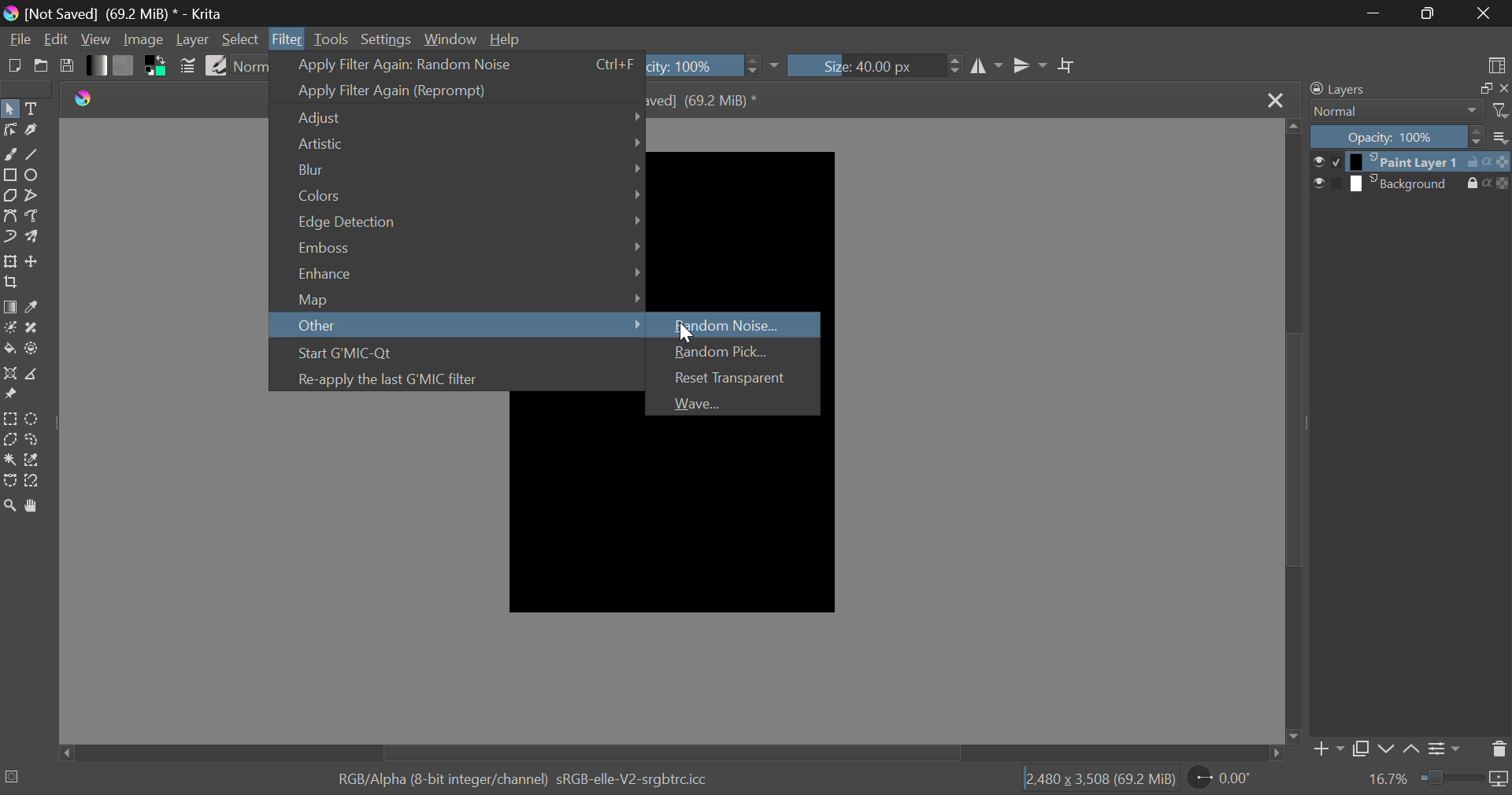  What do you see at coordinates (988, 66) in the screenshot?
I see `Vertical Mirror Flip` at bounding box center [988, 66].